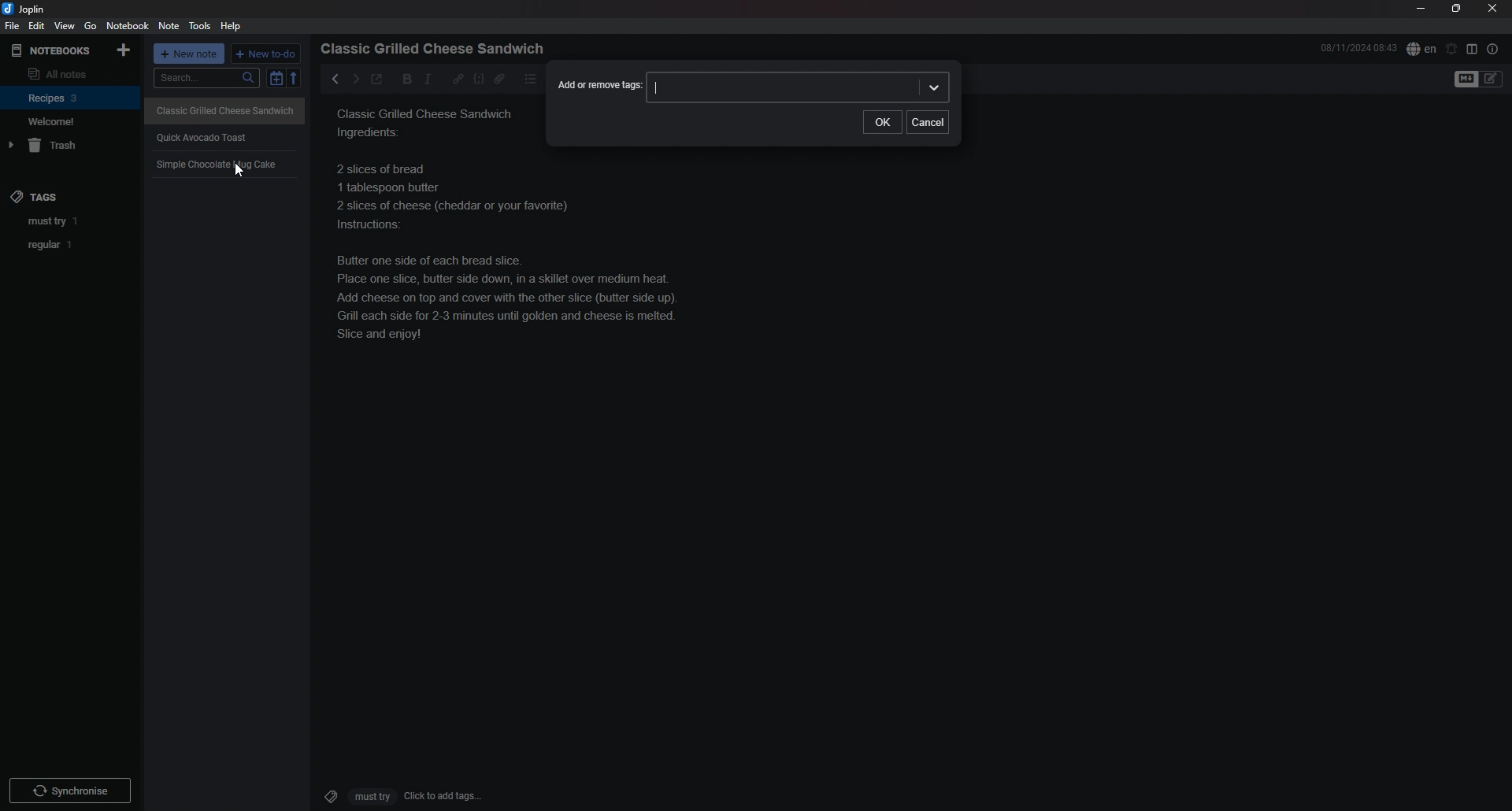 The image size is (1512, 811). Describe the element at coordinates (781, 88) in the screenshot. I see `Input box` at that location.